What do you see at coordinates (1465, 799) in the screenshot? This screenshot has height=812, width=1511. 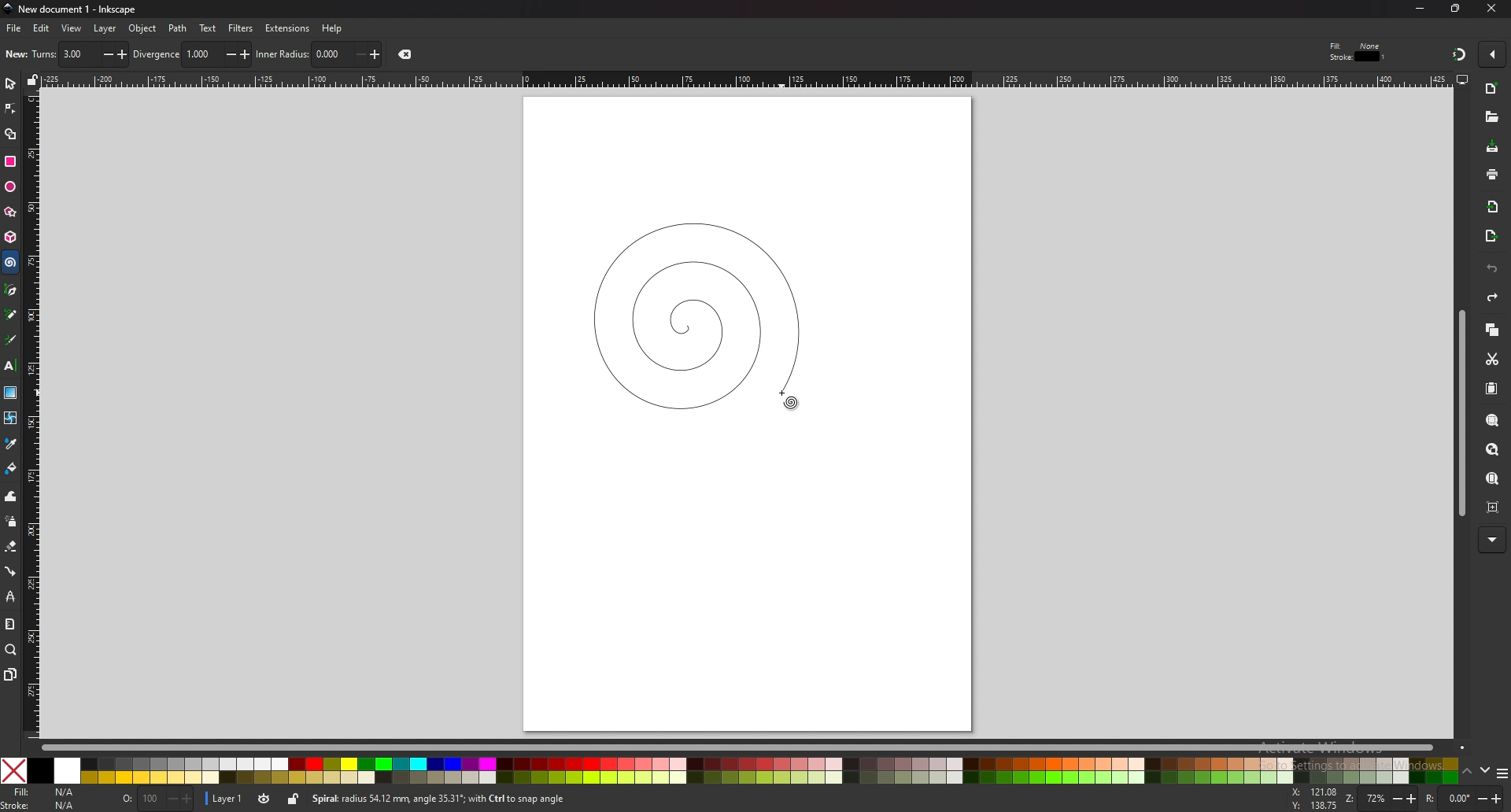 I see `R: 0.00` at bounding box center [1465, 799].